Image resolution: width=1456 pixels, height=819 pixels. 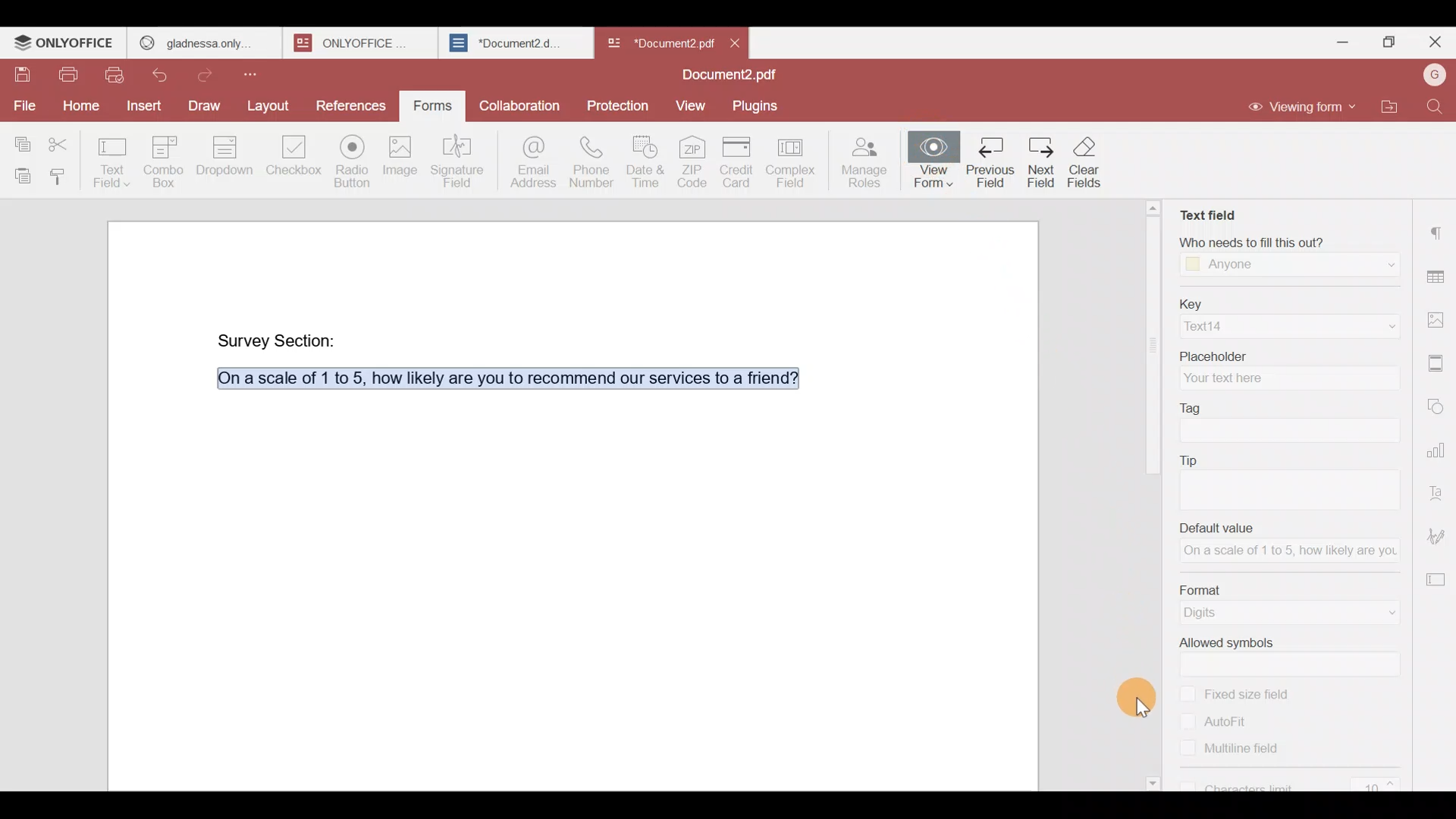 I want to click on Text Art settings, so click(x=1439, y=491).